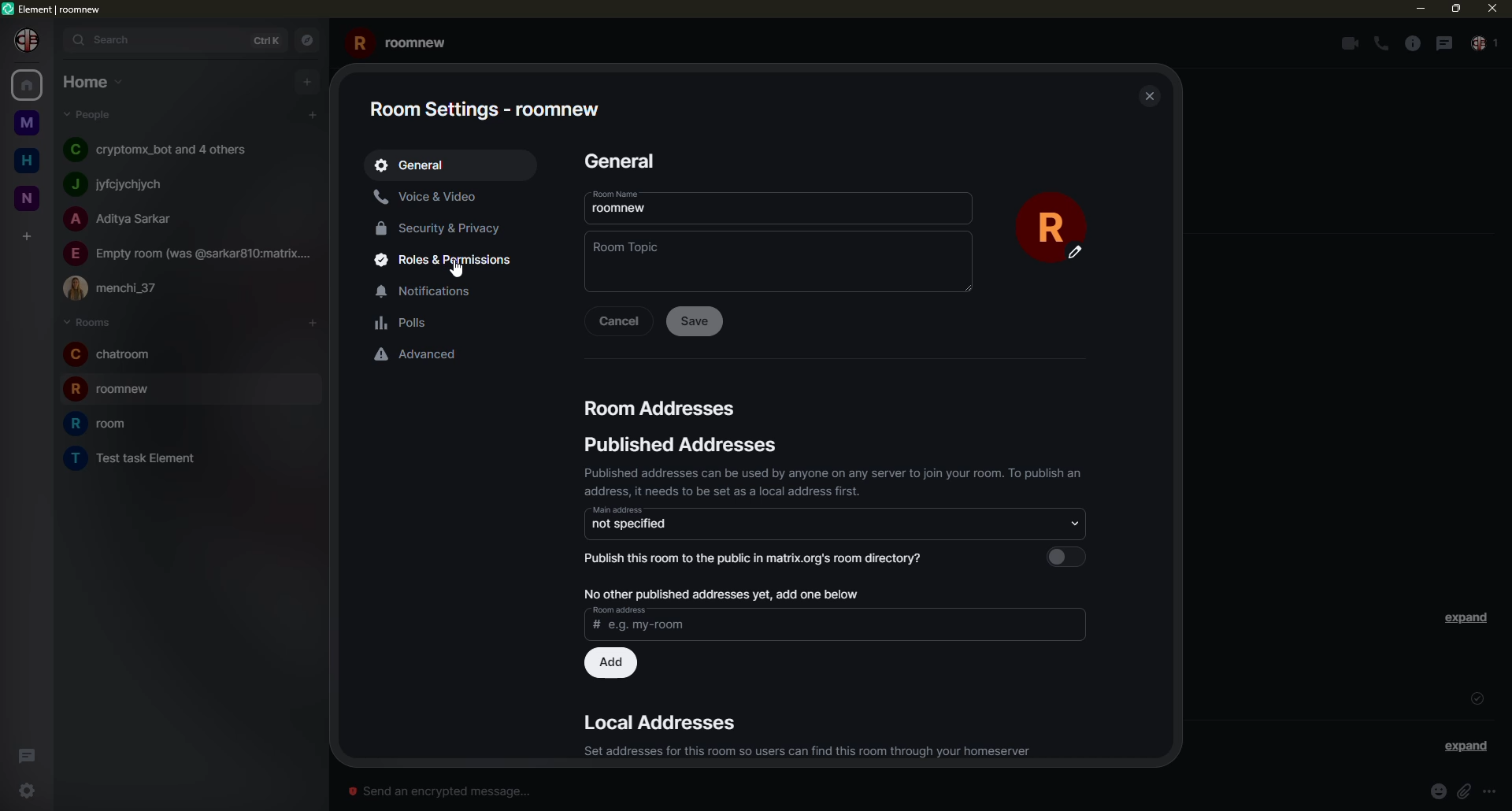 The image size is (1512, 811). What do you see at coordinates (54, 7) in the screenshot?
I see `element` at bounding box center [54, 7].